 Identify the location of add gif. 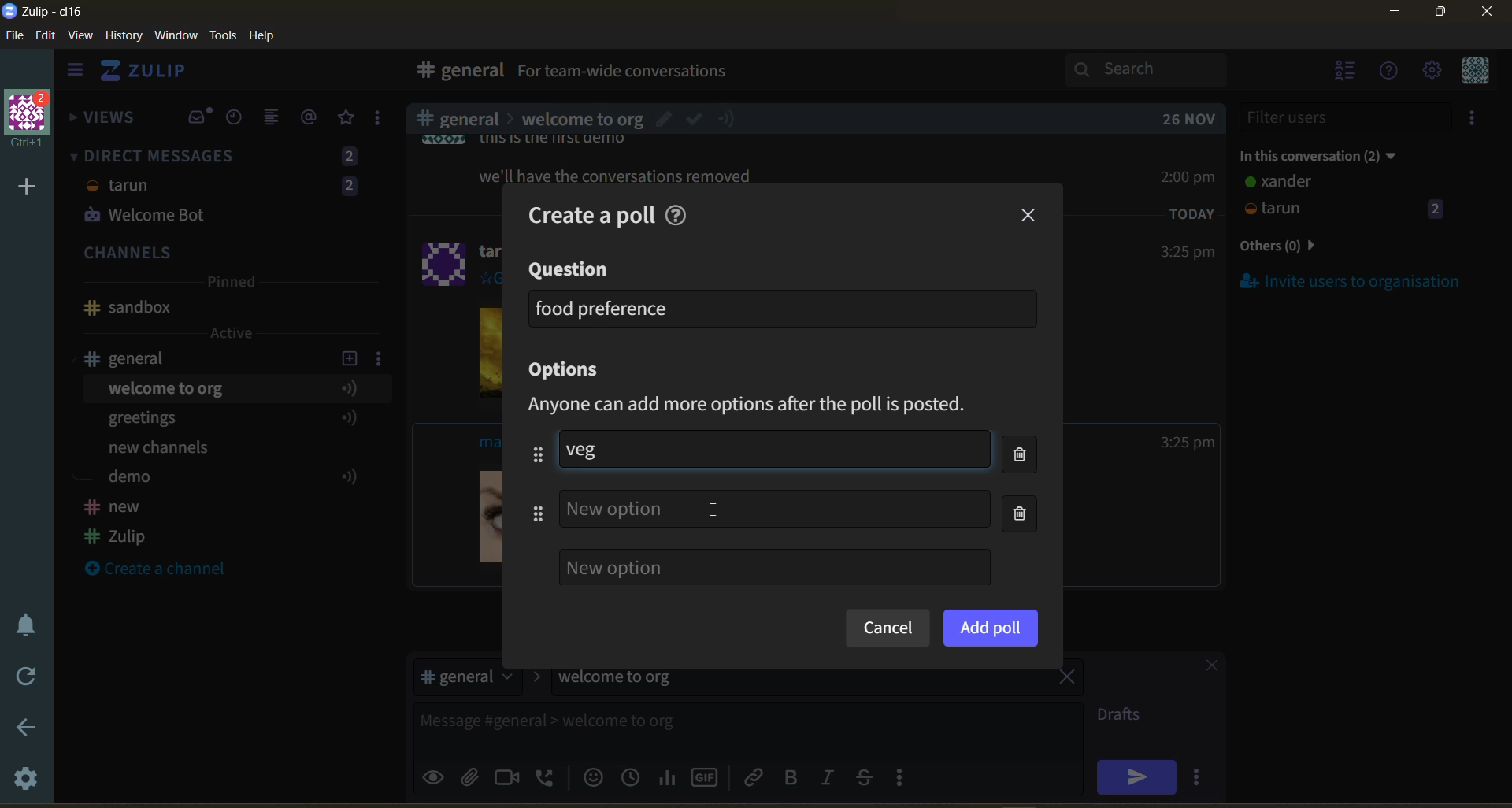
(708, 776).